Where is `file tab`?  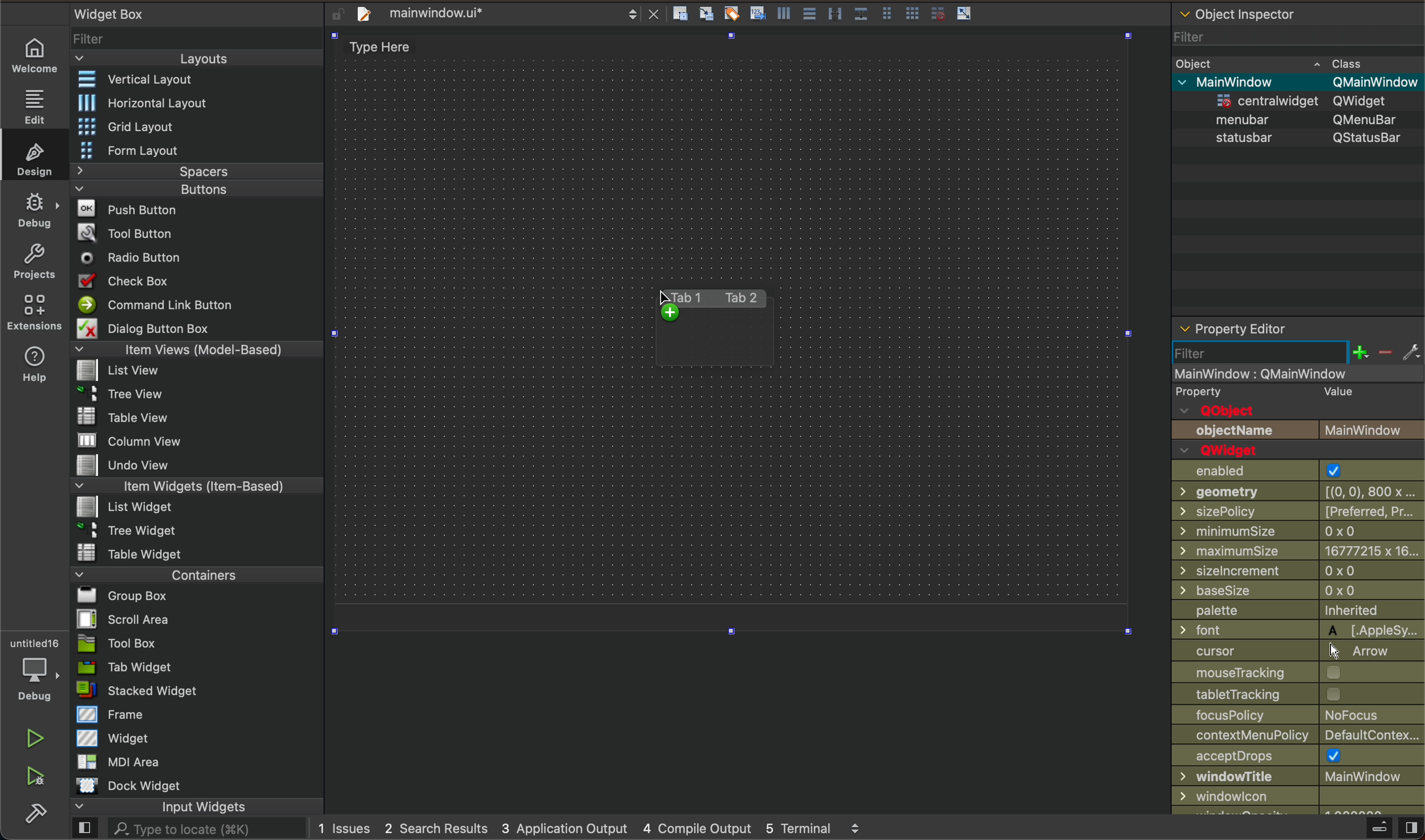
file tab is located at coordinates (502, 14).